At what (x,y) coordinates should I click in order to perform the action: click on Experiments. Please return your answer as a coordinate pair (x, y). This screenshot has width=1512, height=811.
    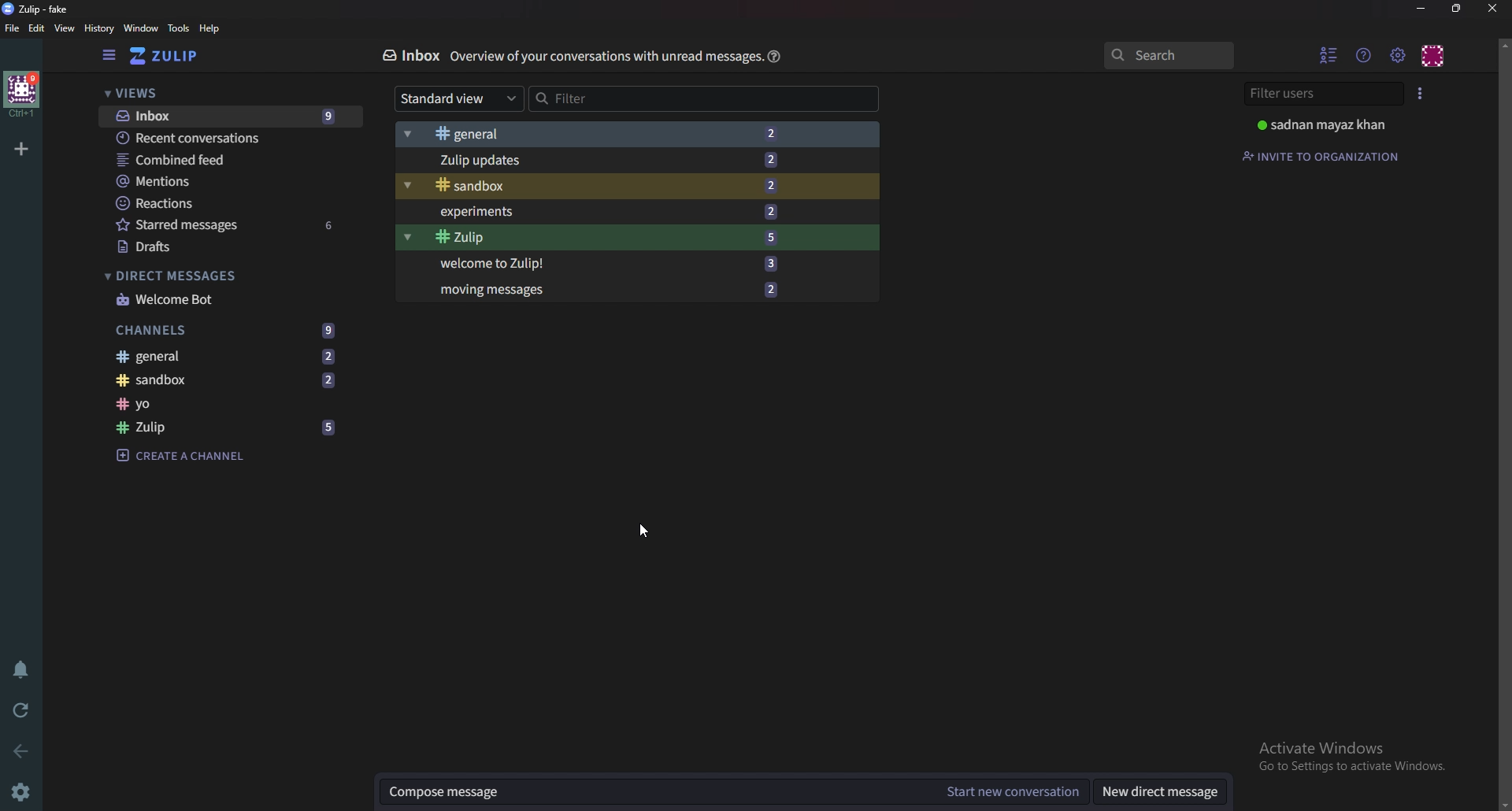
    Looking at the image, I should click on (620, 210).